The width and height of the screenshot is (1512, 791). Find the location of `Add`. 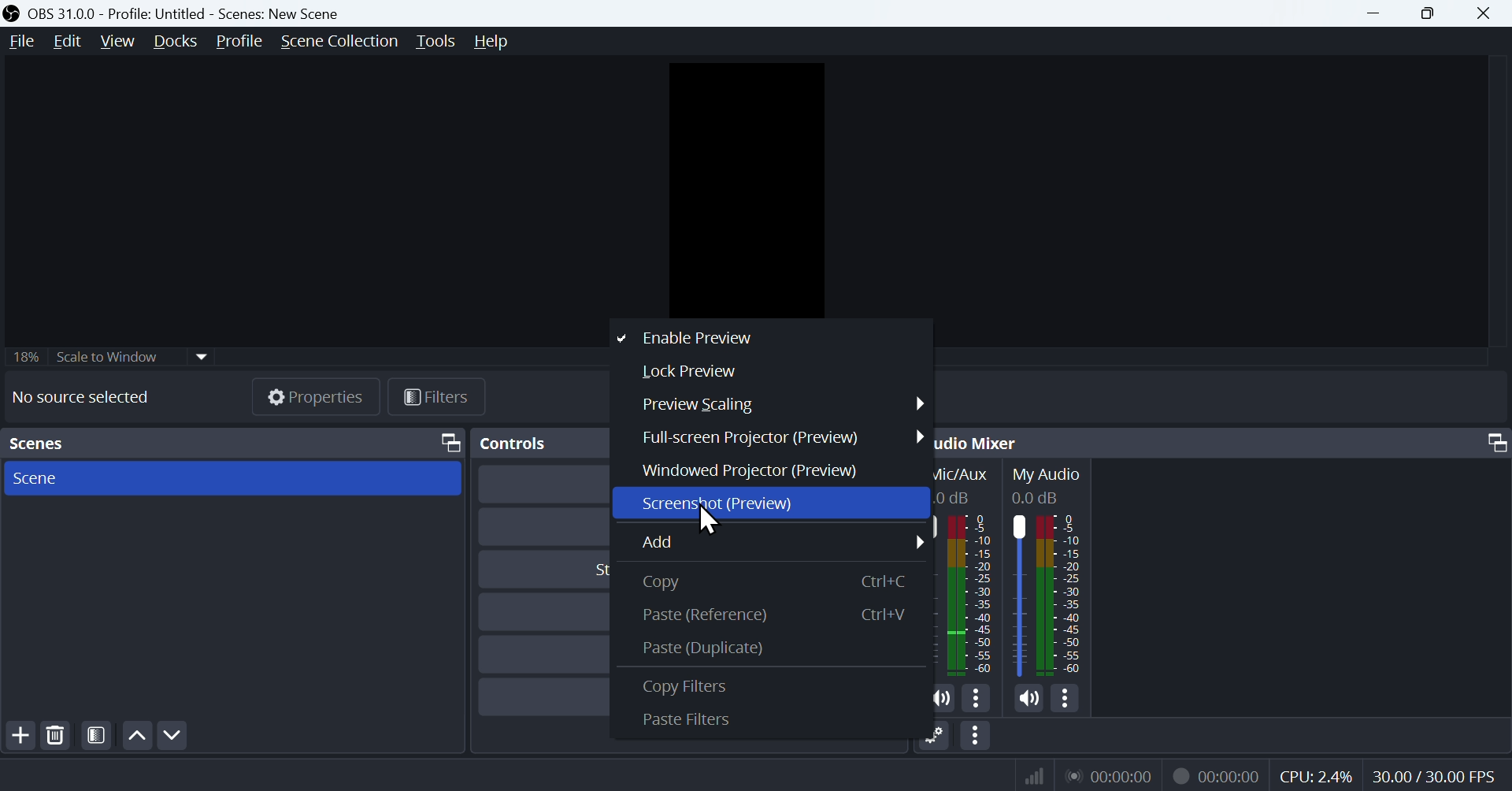

Add is located at coordinates (773, 543).